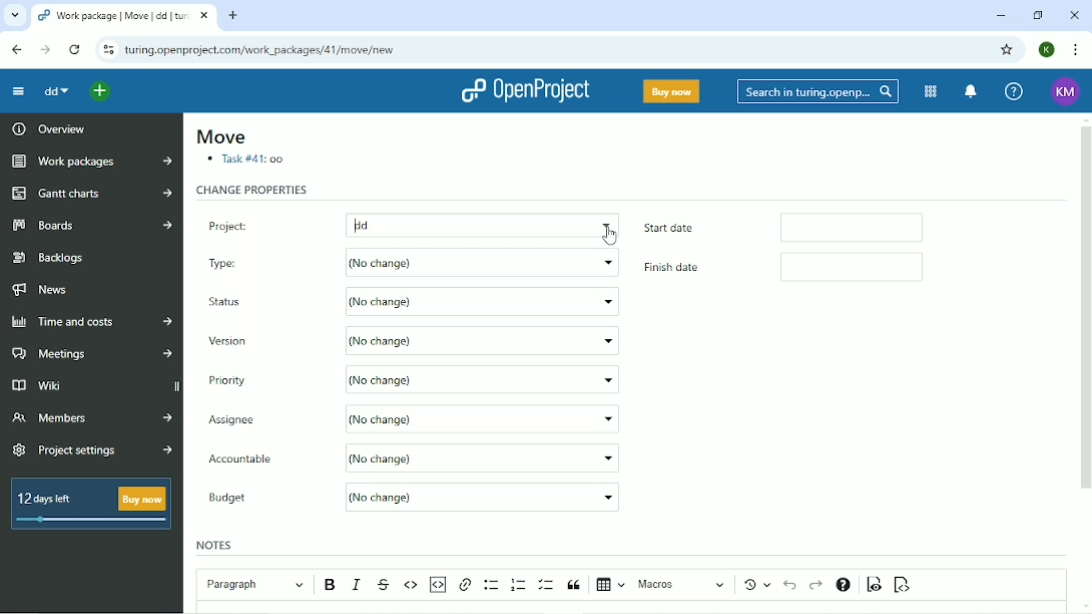 This screenshot has width=1092, height=614. I want to click on Notes, so click(216, 544).